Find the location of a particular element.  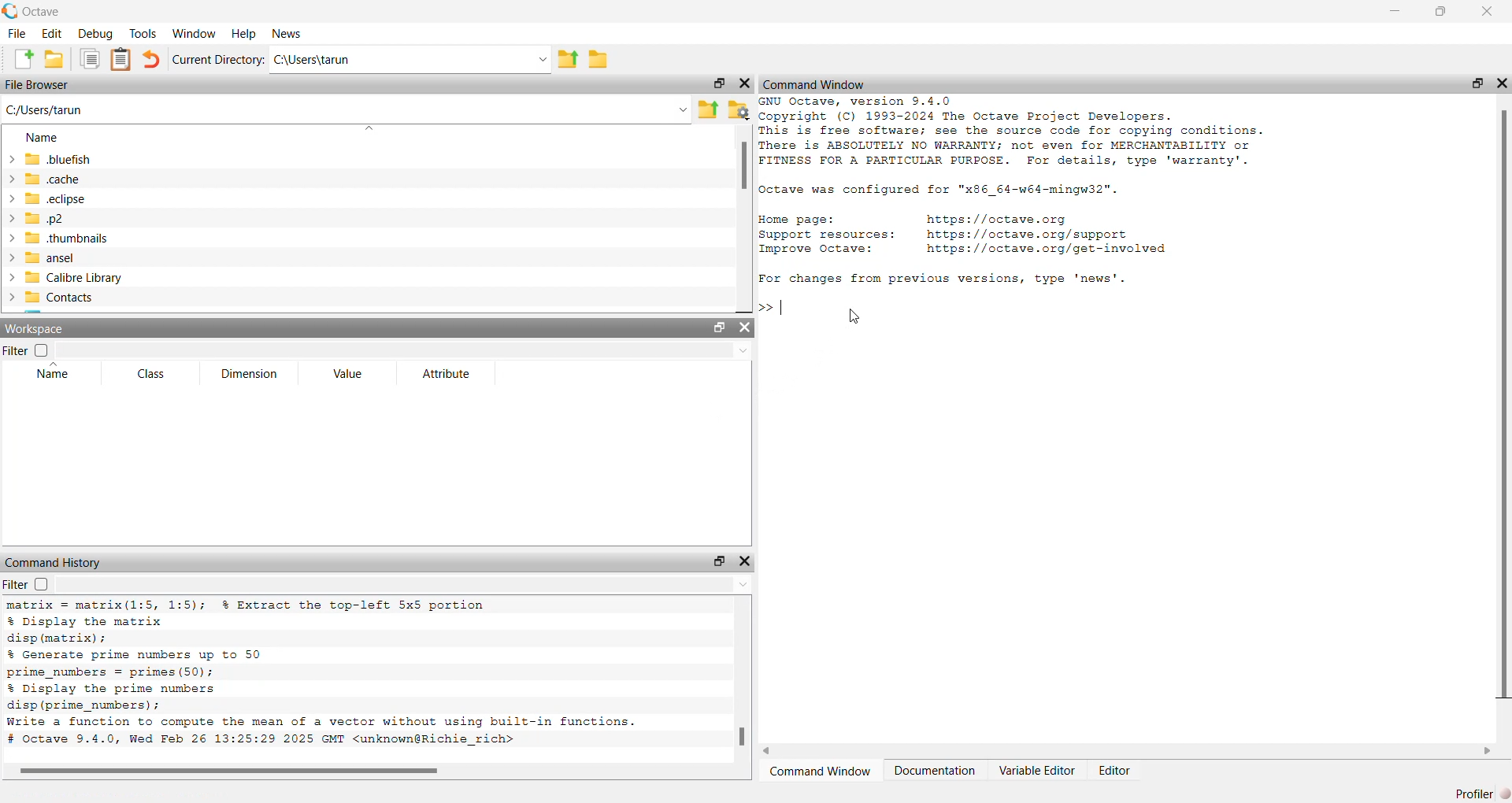

minimise is located at coordinates (1395, 9).